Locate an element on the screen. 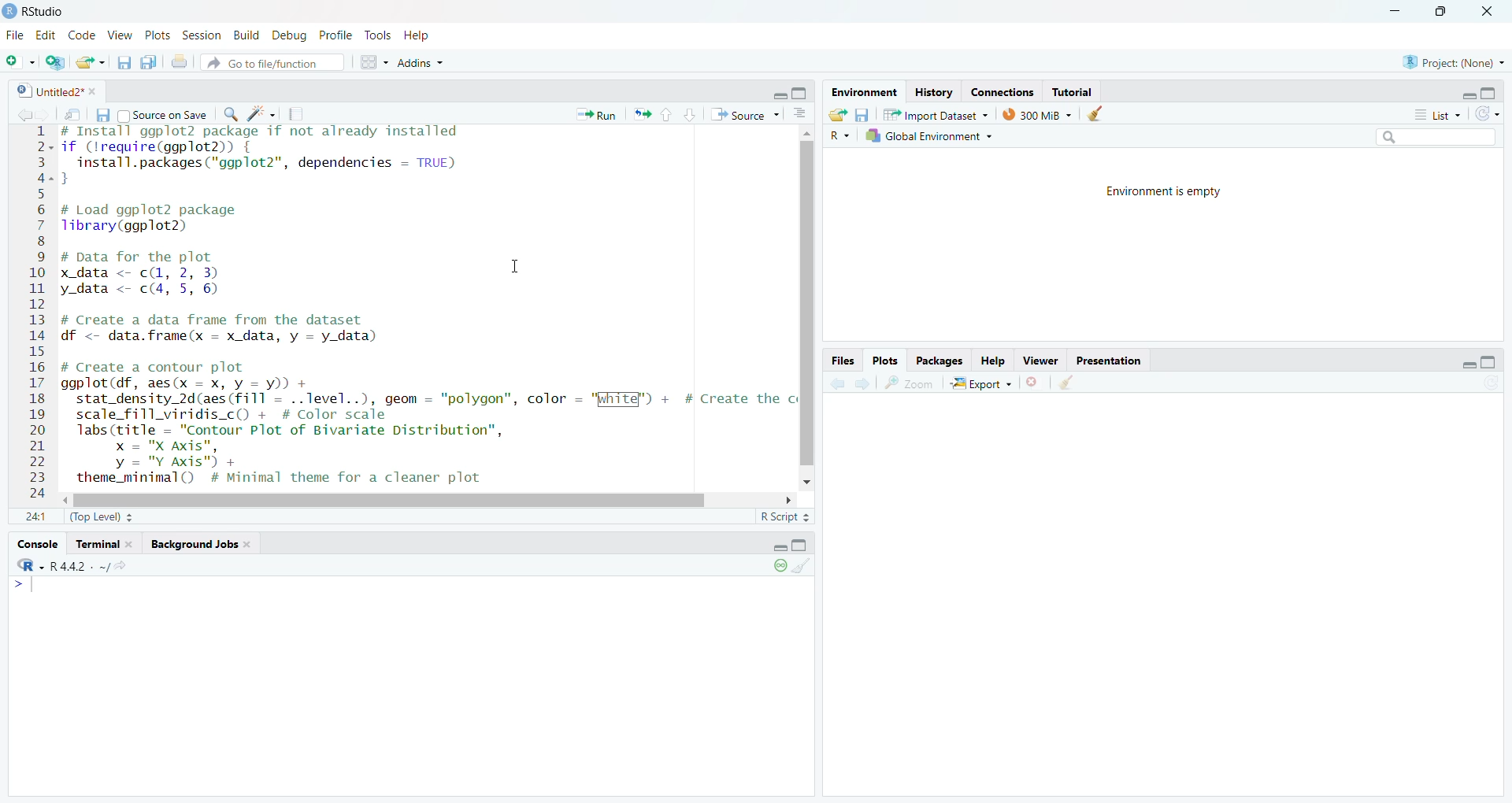 This screenshot has width=1512, height=803. Tools is located at coordinates (377, 36).